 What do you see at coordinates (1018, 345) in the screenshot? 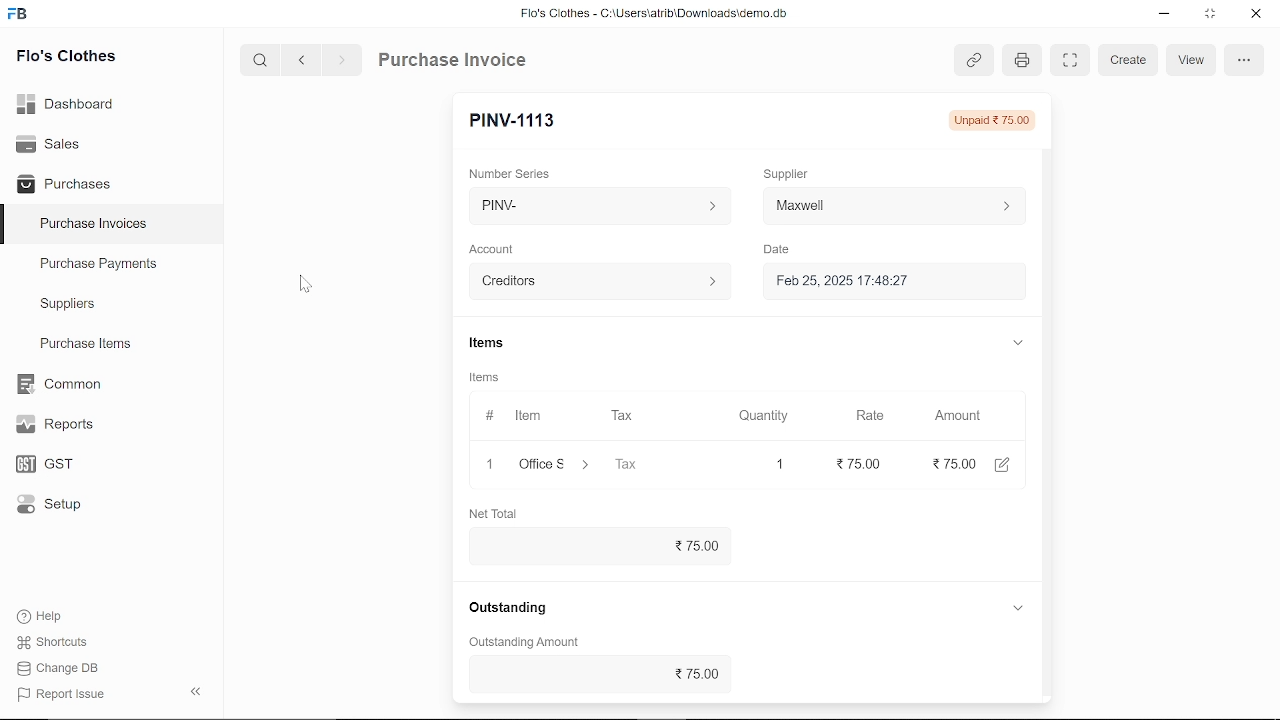
I see `expand` at bounding box center [1018, 345].